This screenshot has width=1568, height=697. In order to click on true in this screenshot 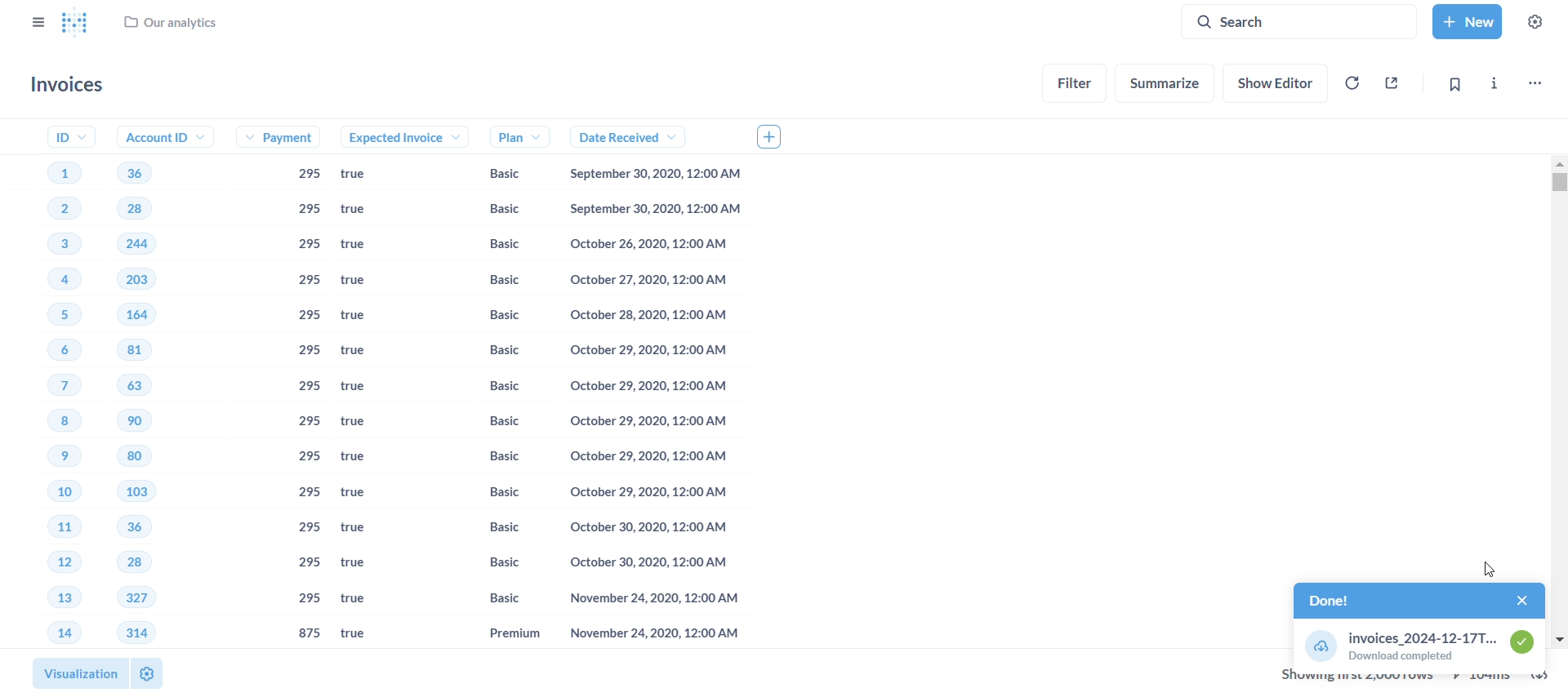, I will do `click(359, 563)`.